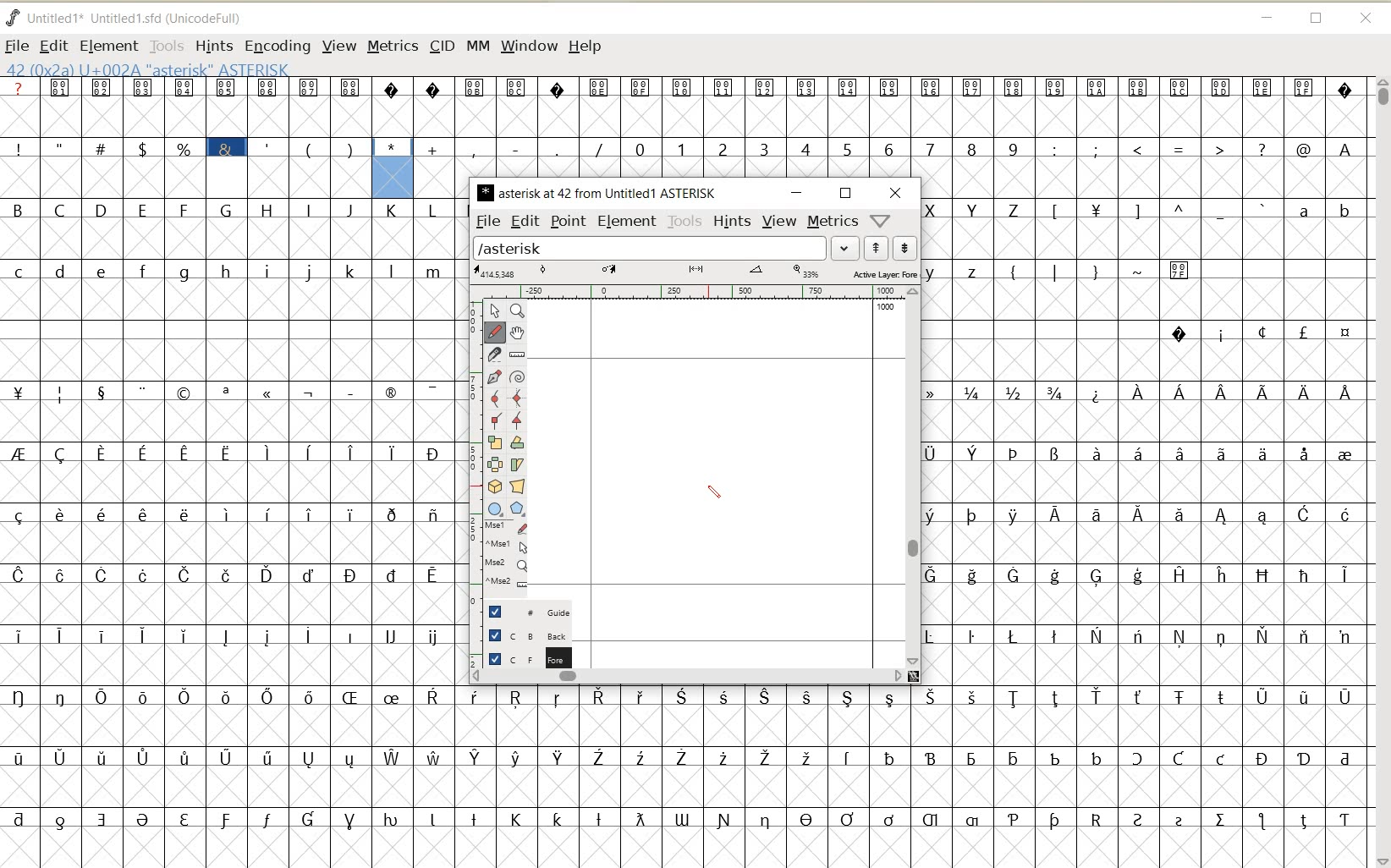  Describe the element at coordinates (650, 248) in the screenshot. I see `load word list` at that location.